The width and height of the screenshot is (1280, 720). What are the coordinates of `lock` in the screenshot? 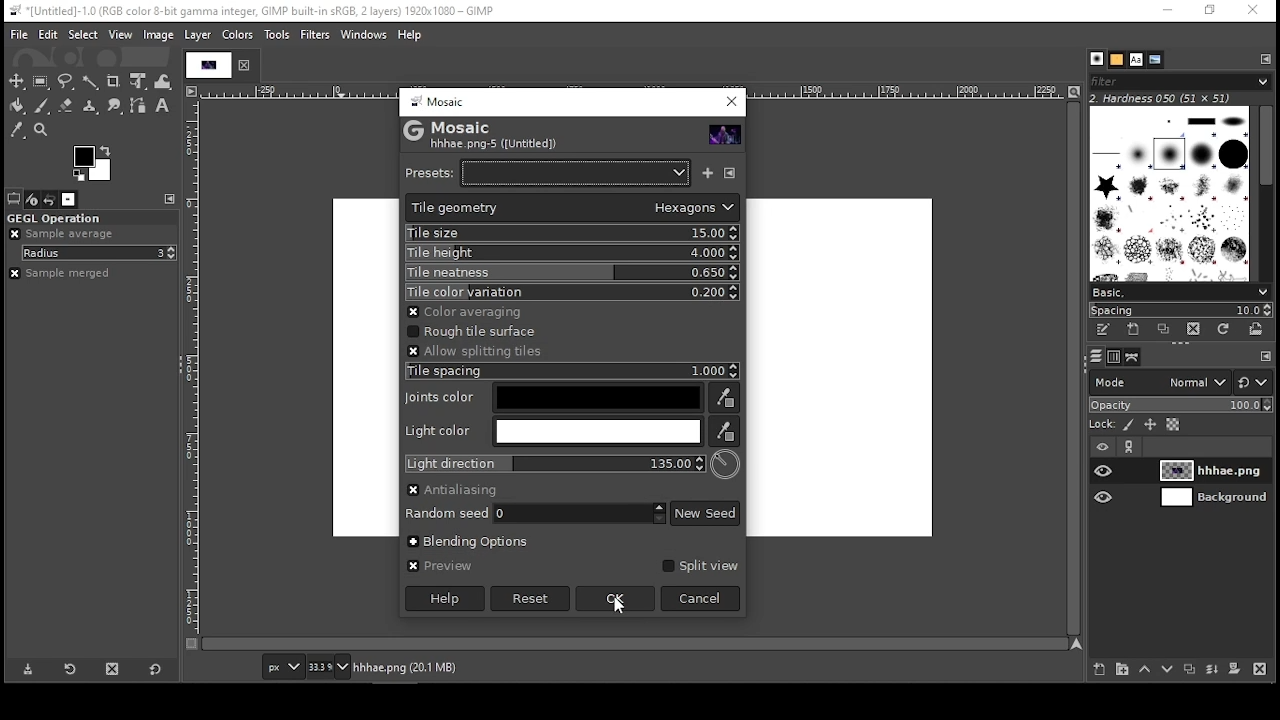 It's located at (1103, 424).